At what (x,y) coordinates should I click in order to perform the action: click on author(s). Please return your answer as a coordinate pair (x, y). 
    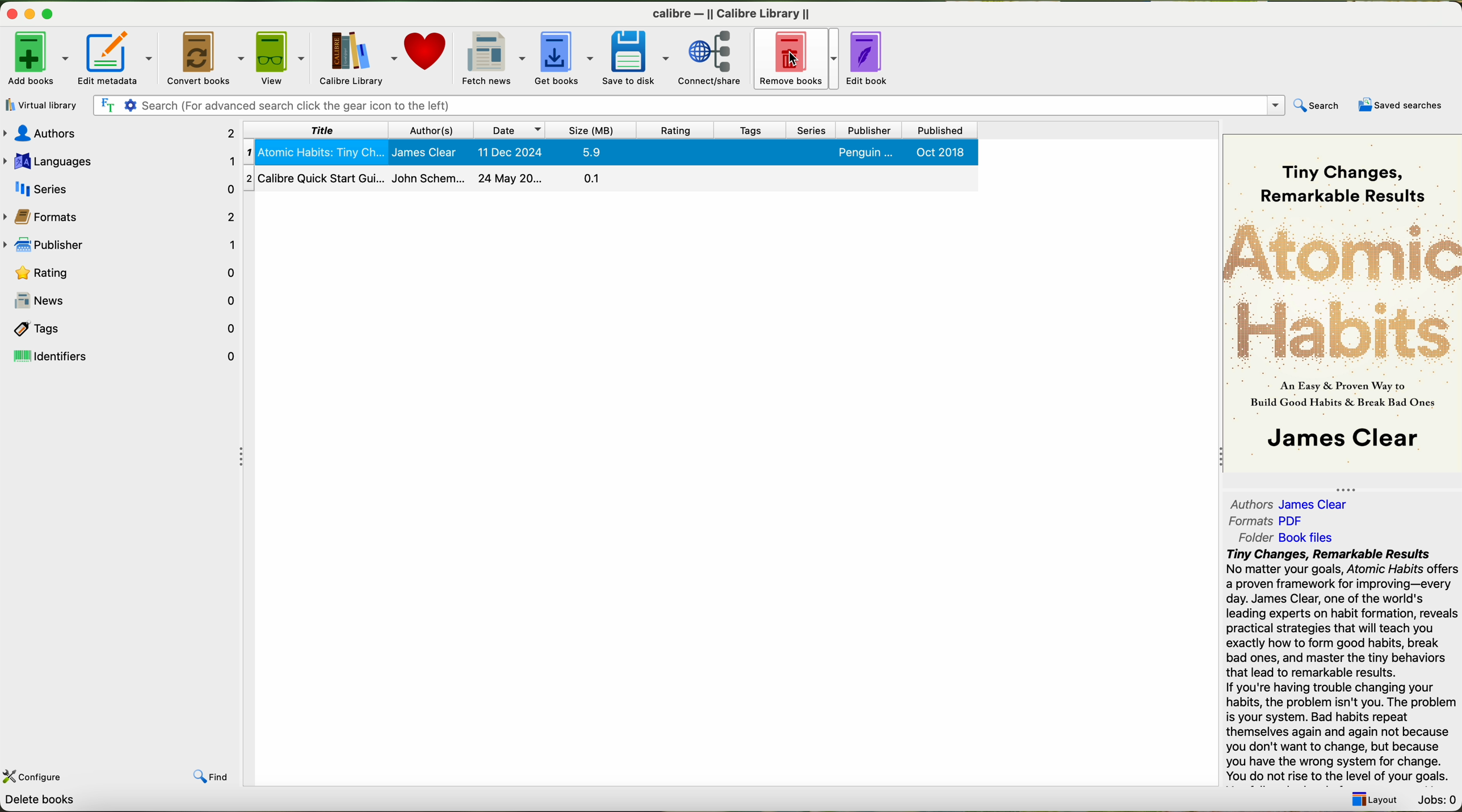
    Looking at the image, I should click on (430, 130).